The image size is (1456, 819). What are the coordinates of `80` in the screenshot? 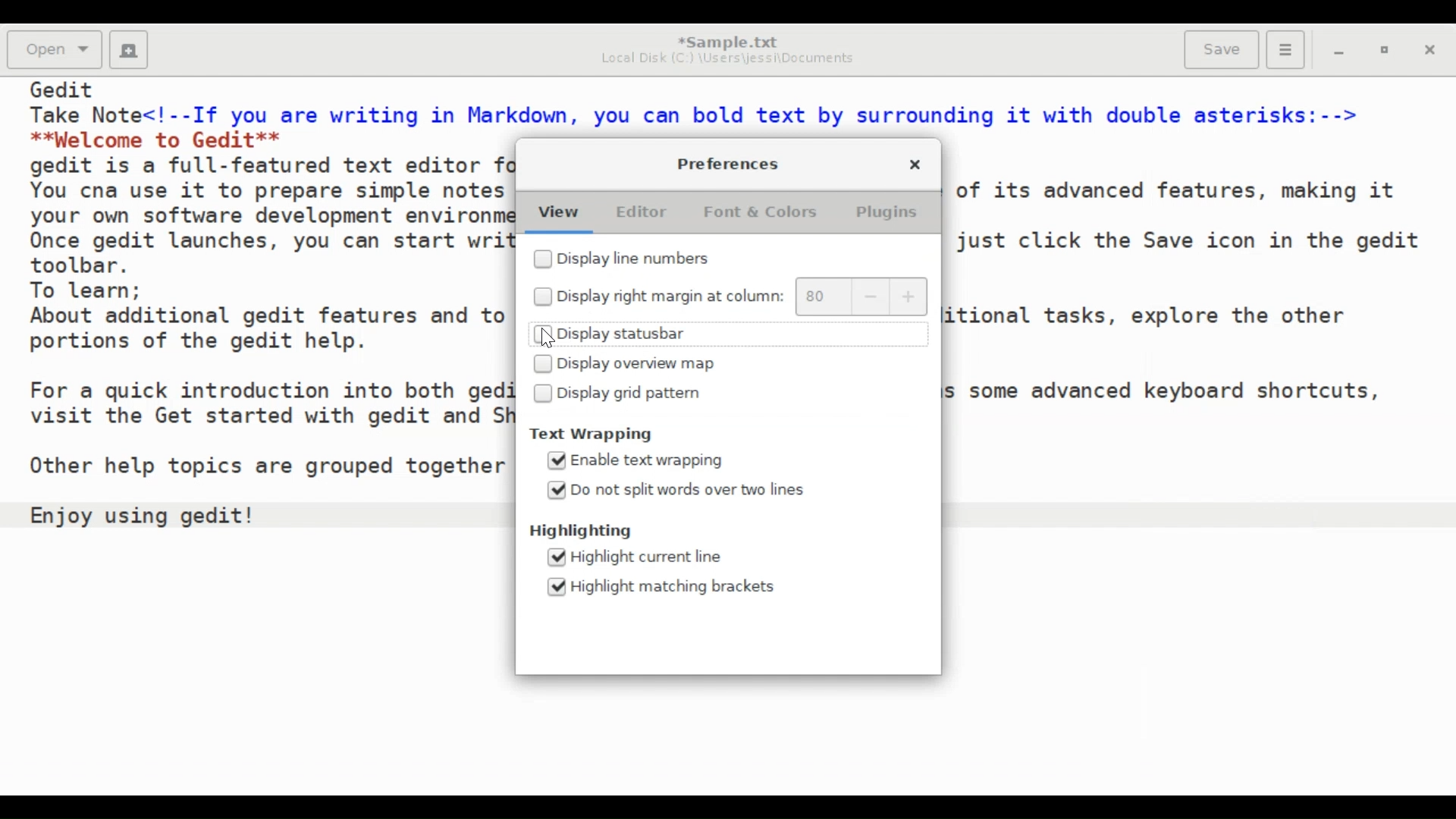 It's located at (822, 296).